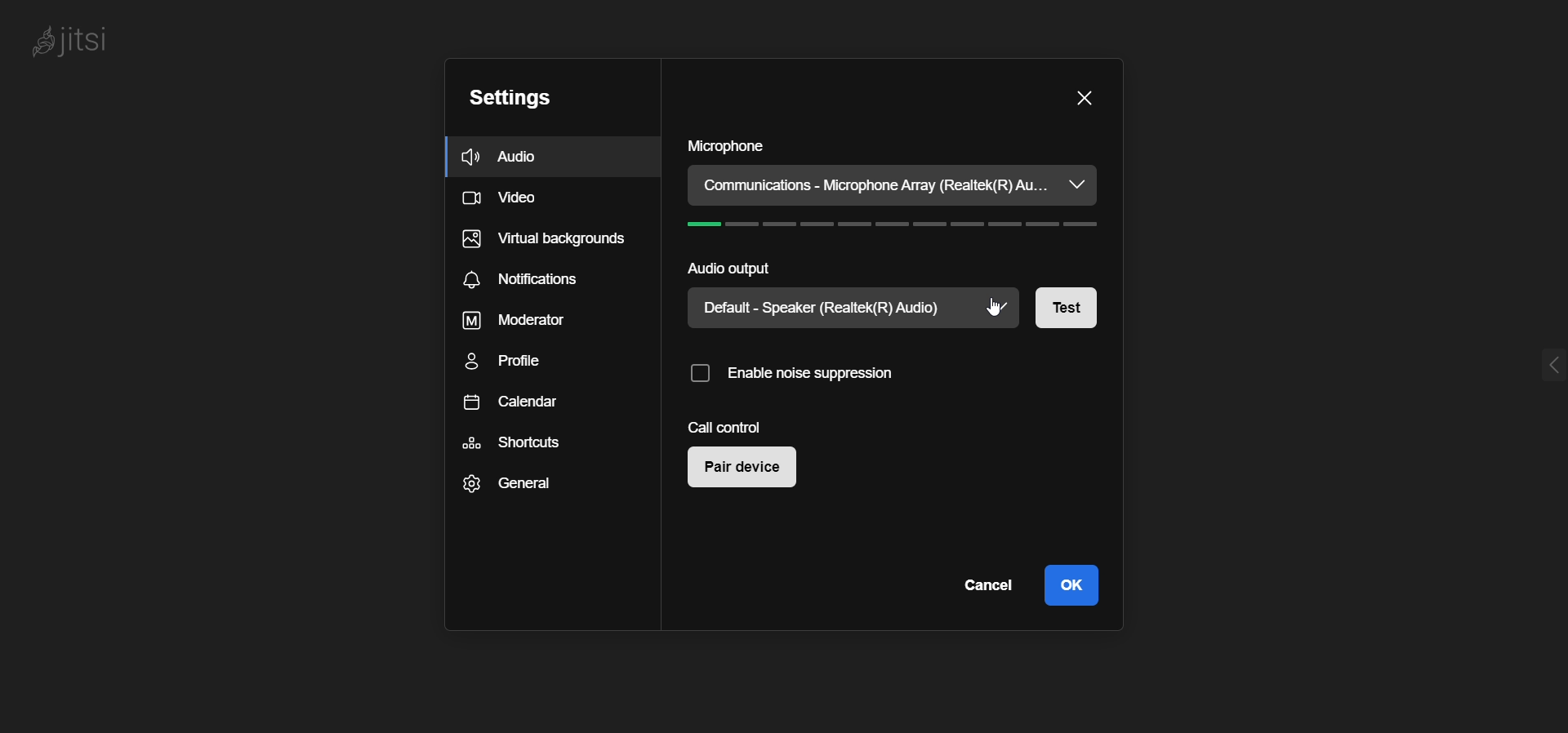 The image size is (1568, 733). Describe the element at coordinates (874, 186) in the screenshot. I see `current microphone` at that location.